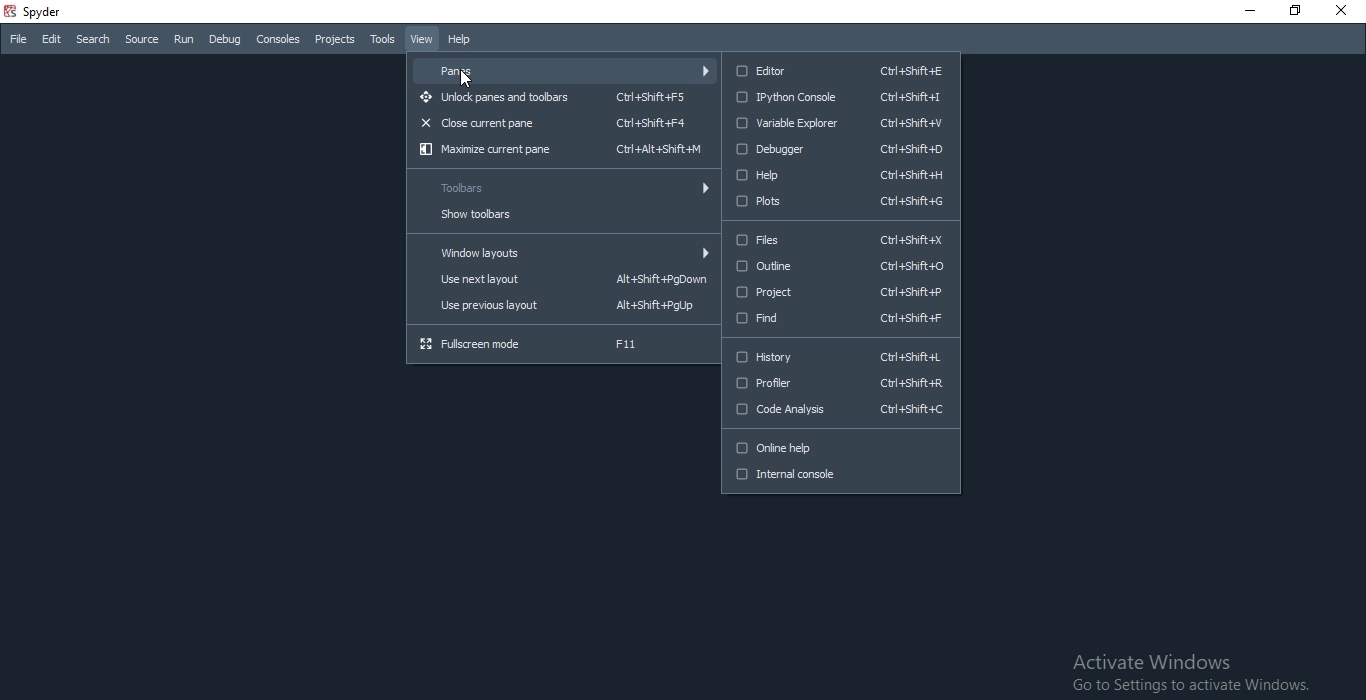 This screenshot has height=700, width=1366. What do you see at coordinates (186, 42) in the screenshot?
I see `Run` at bounding box center [186, 42].